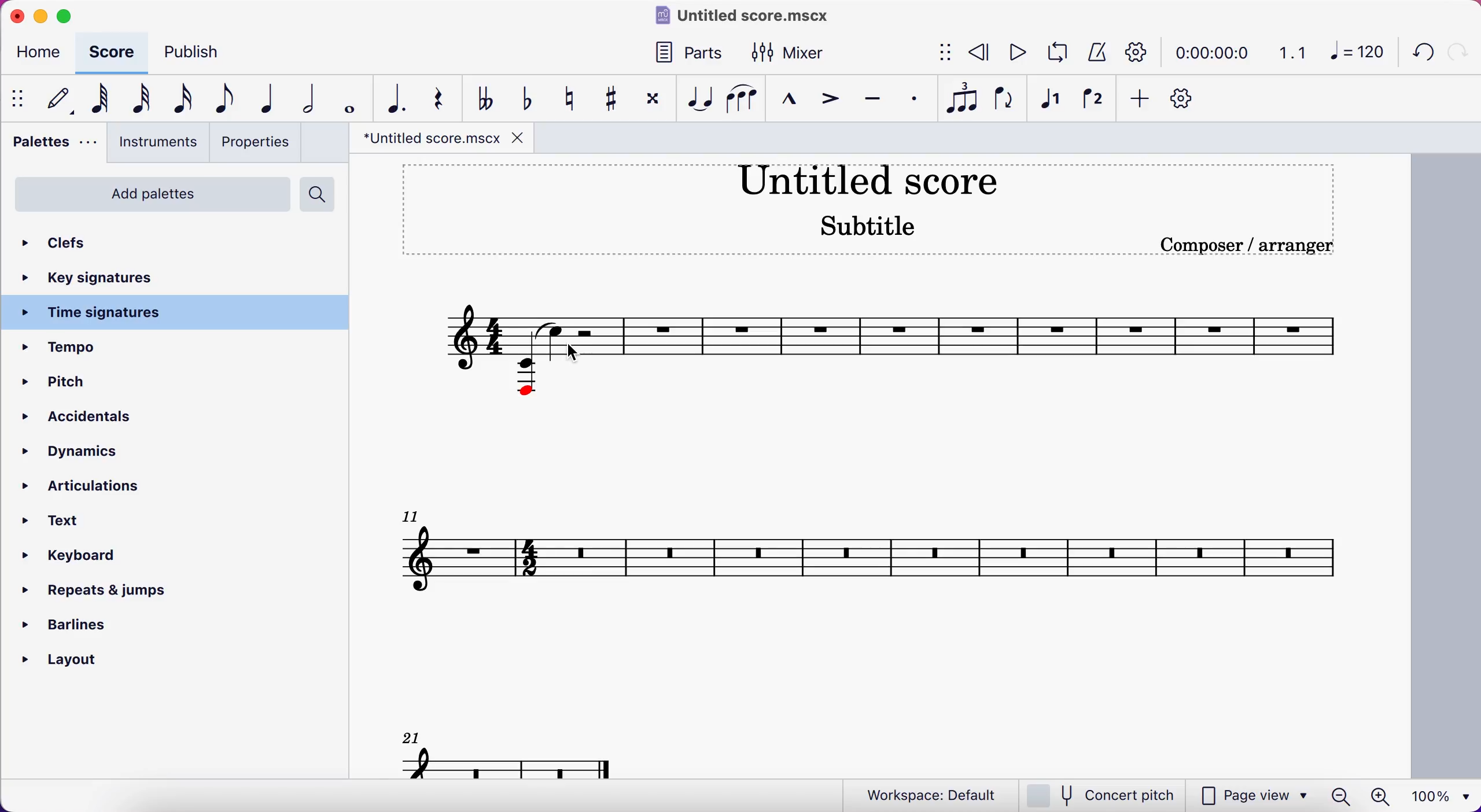 Image resolution: width=1481 pixels, height=812 pixels. What do you see at coordinates (934, 53) in the screenshot?
I see `show/hide options` at bounding box center [934, 53].